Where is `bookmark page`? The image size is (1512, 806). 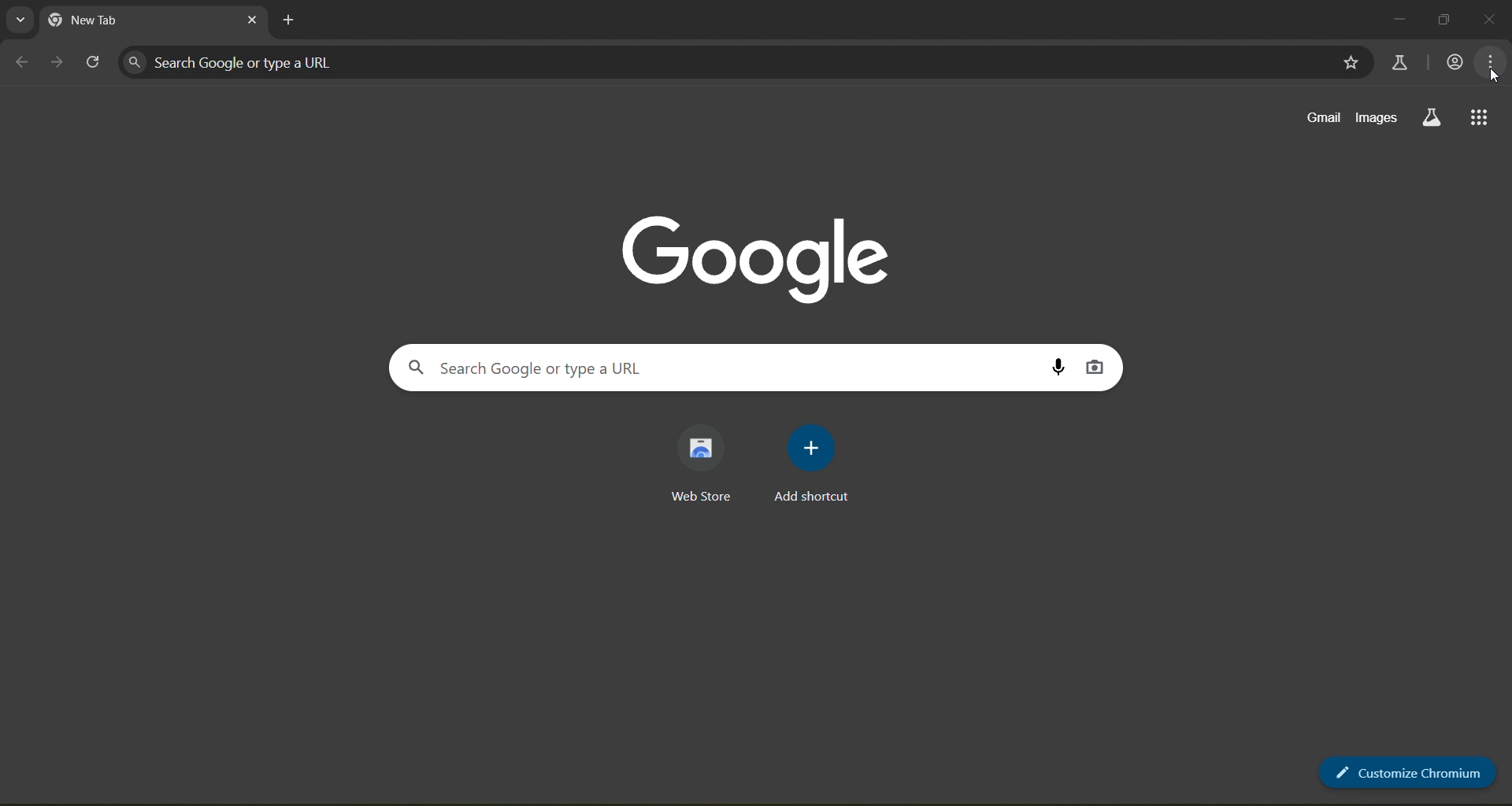 bookmark page is located at coordinates (1351, 64).